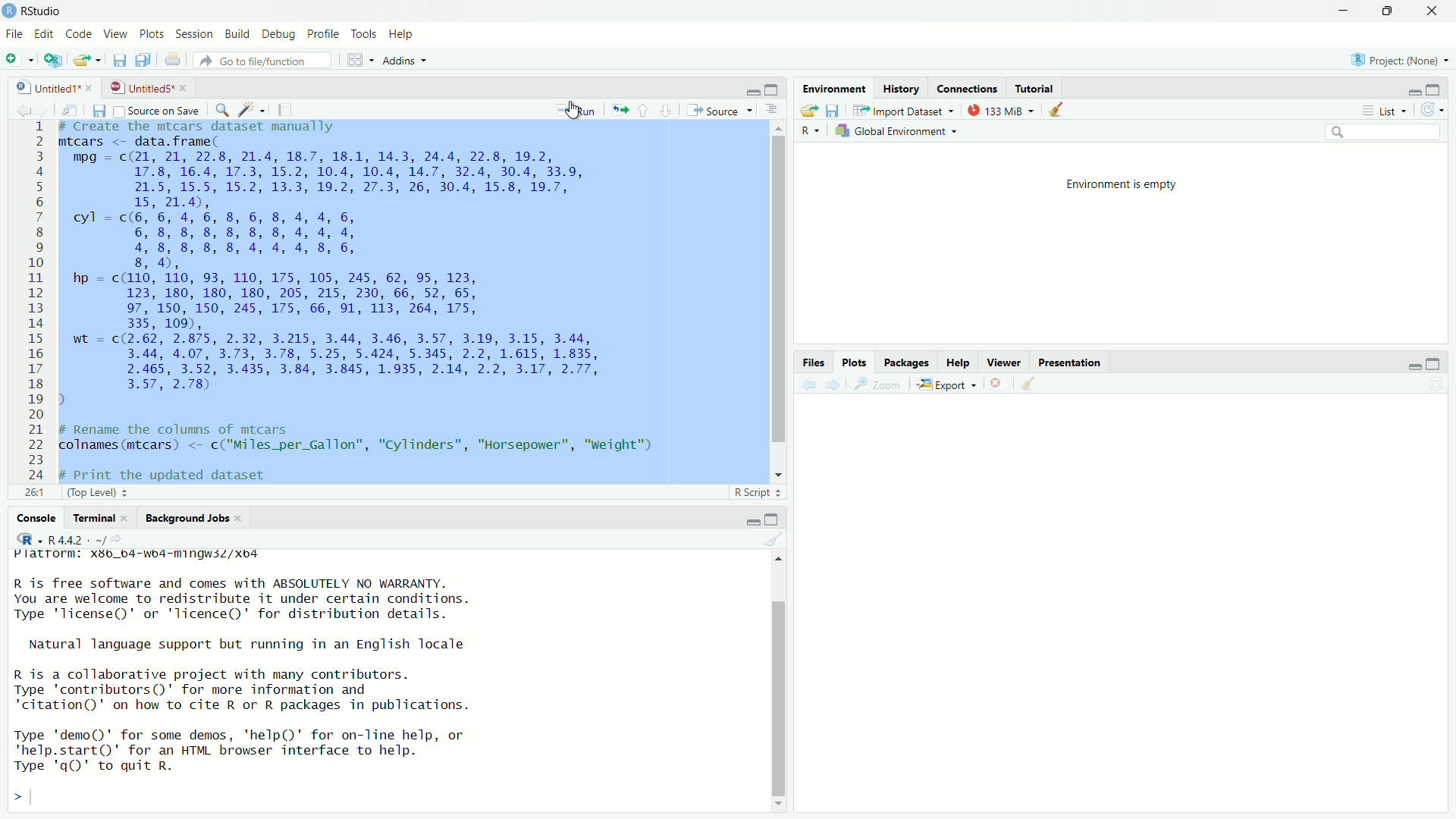 The height and width of the screenshot is (819, 1456). I want to click on back, so click(17, 108).